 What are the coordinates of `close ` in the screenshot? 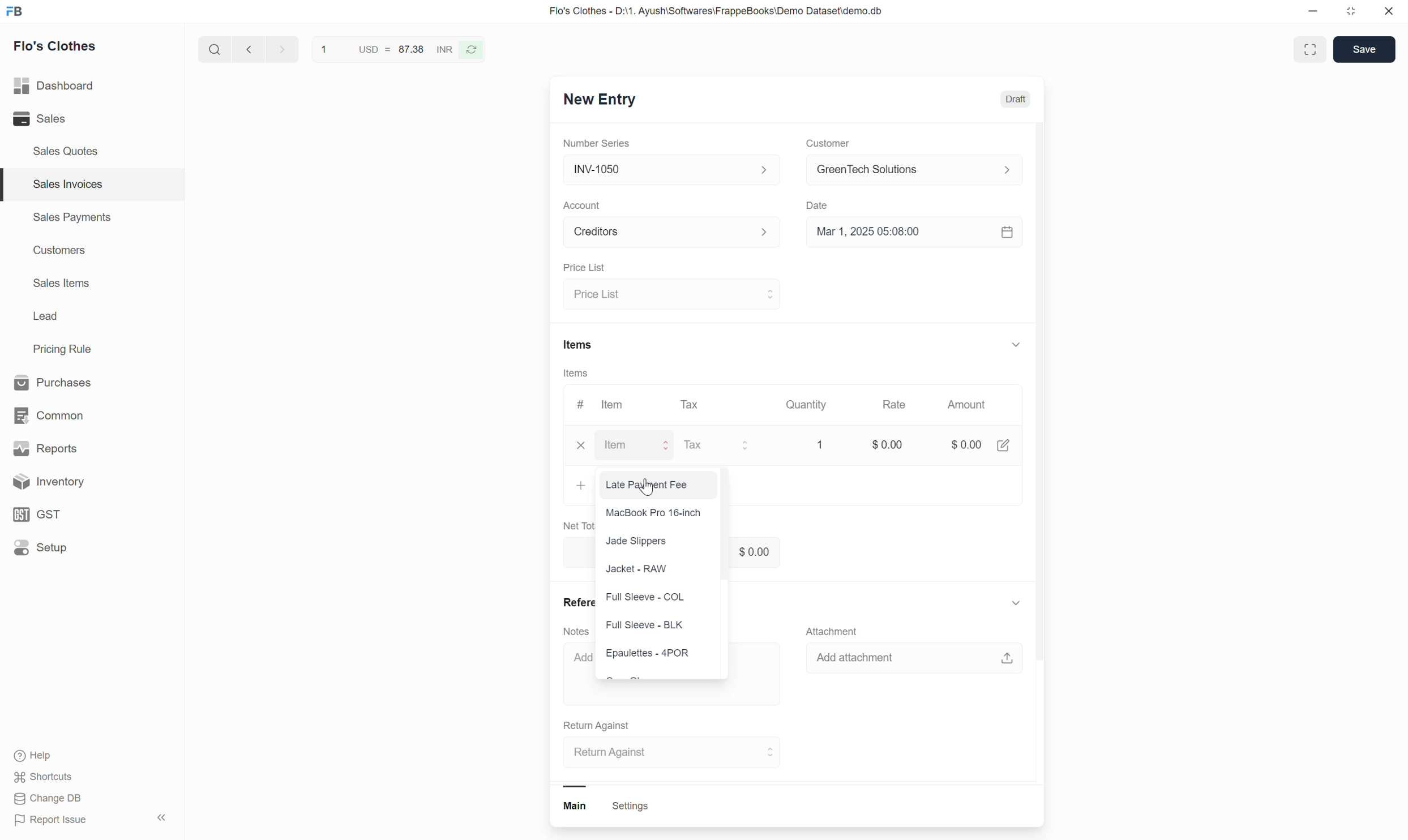 It's located at (1390, 12).